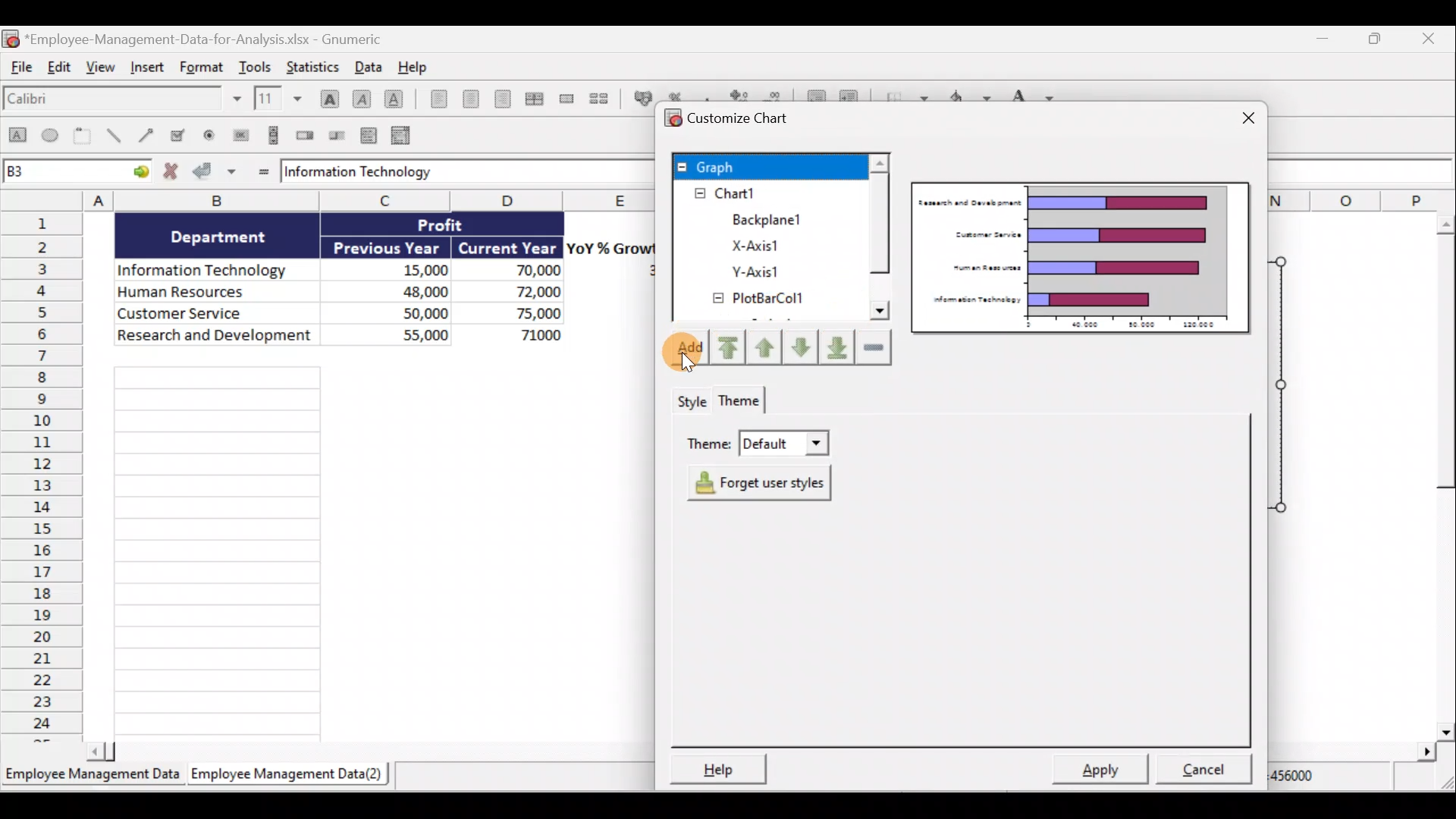 This screenshot has height=819, width=1456. What do you see at coordinates (177, 134) in the screenshot?
I see `Create a checkbox` at bounding box center [177, 134].